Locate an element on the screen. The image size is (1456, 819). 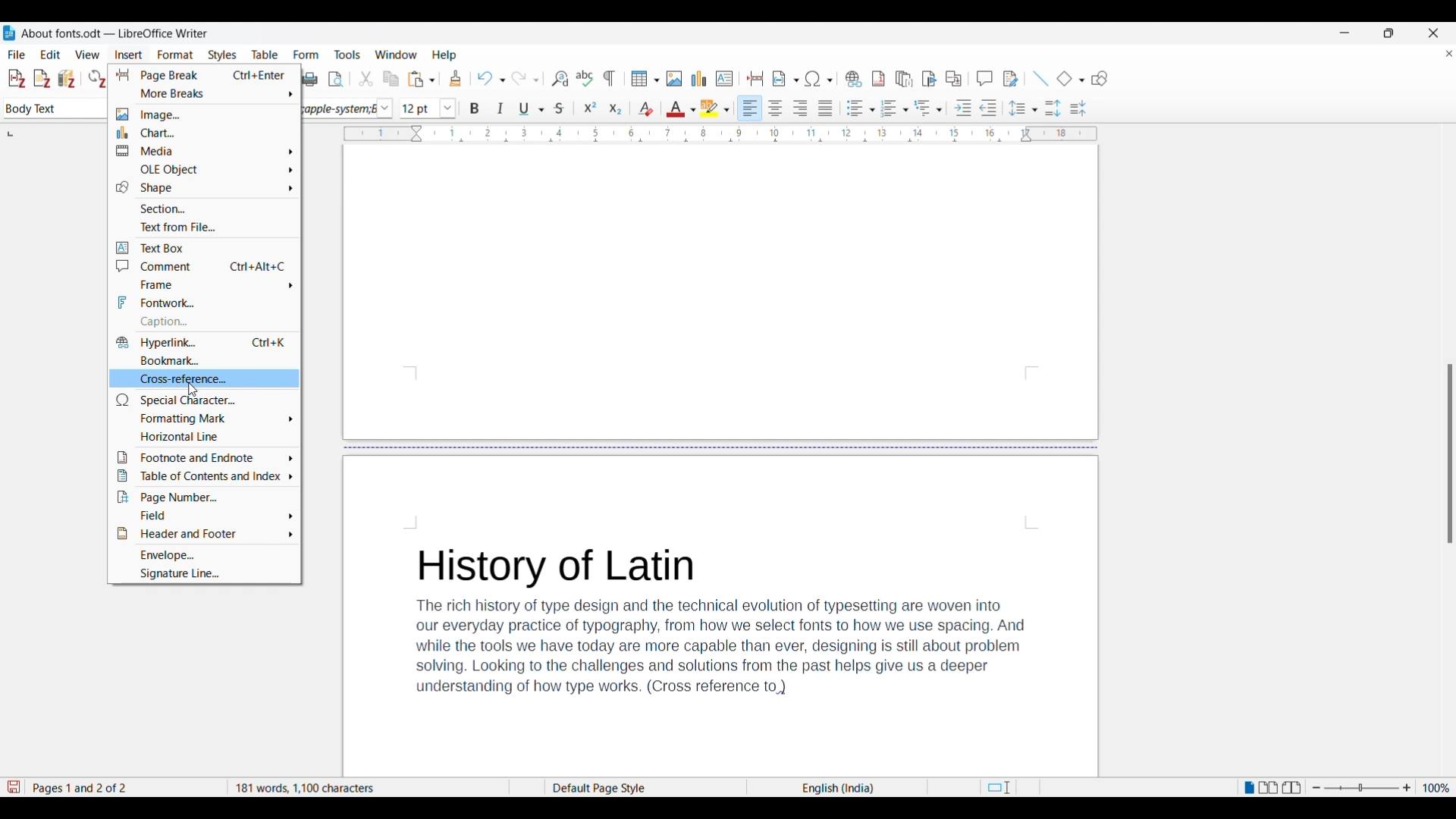
Horizontal line is located at coordinates (205, 437).